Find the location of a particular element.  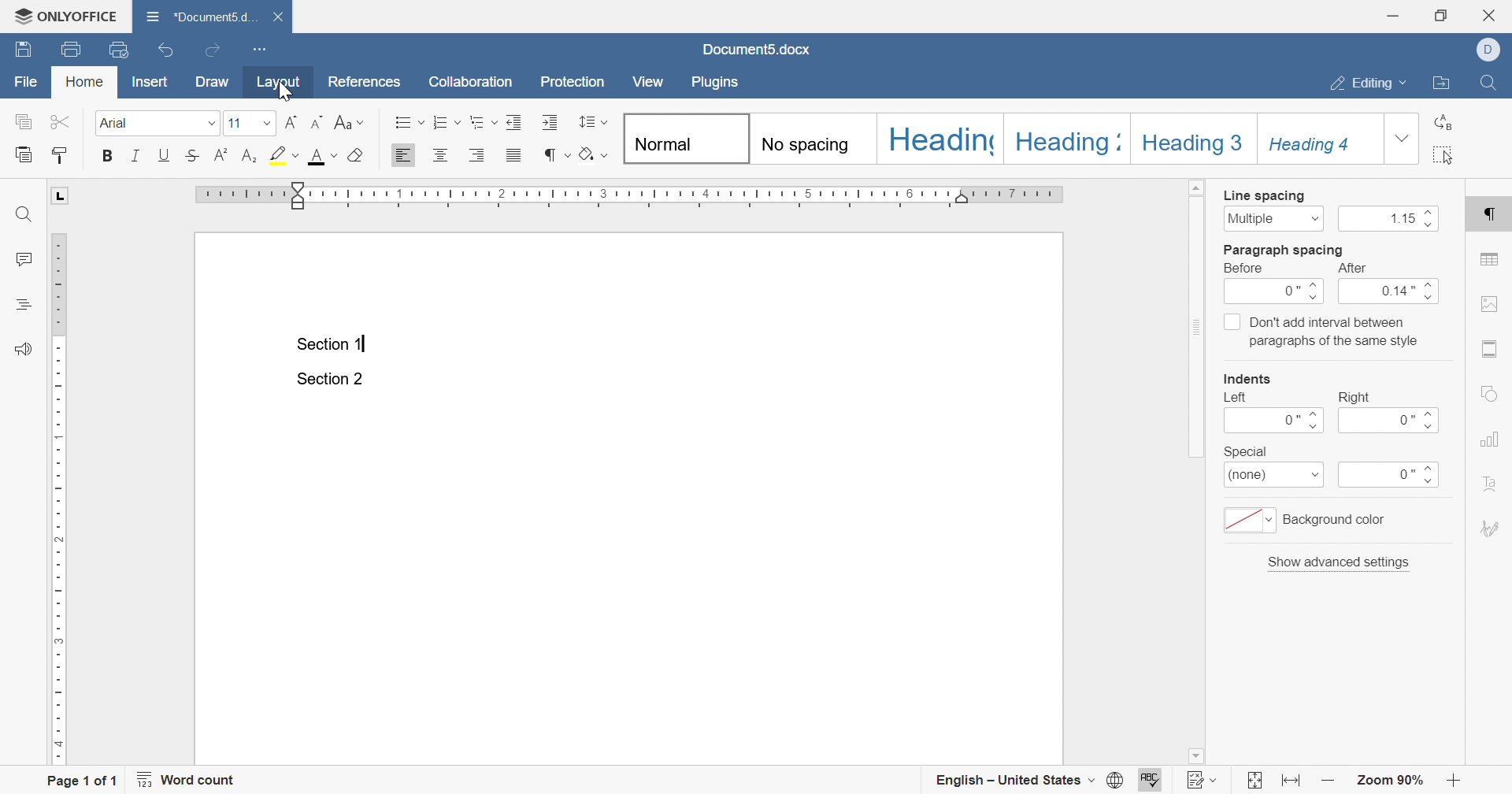

0 is located at coordinates (1392, 421).